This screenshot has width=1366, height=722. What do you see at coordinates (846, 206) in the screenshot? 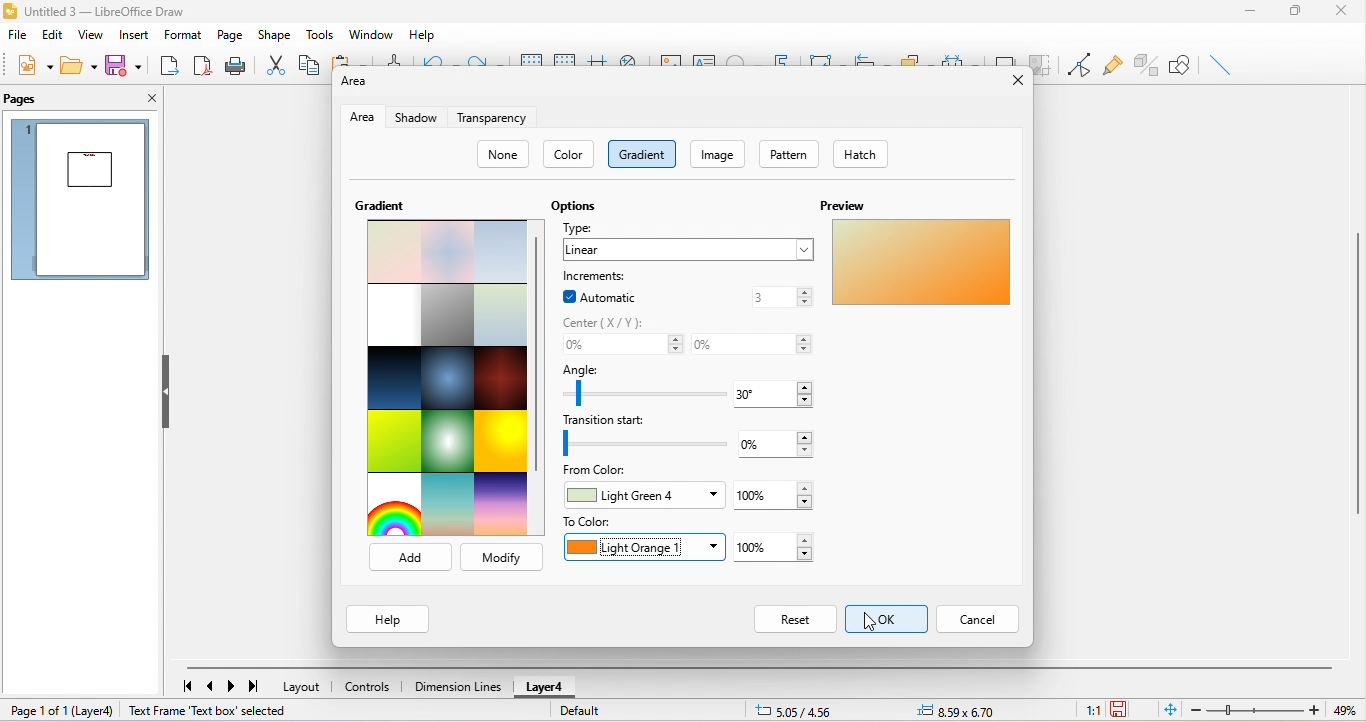
I see `preview` at bounding box center [846, 206].